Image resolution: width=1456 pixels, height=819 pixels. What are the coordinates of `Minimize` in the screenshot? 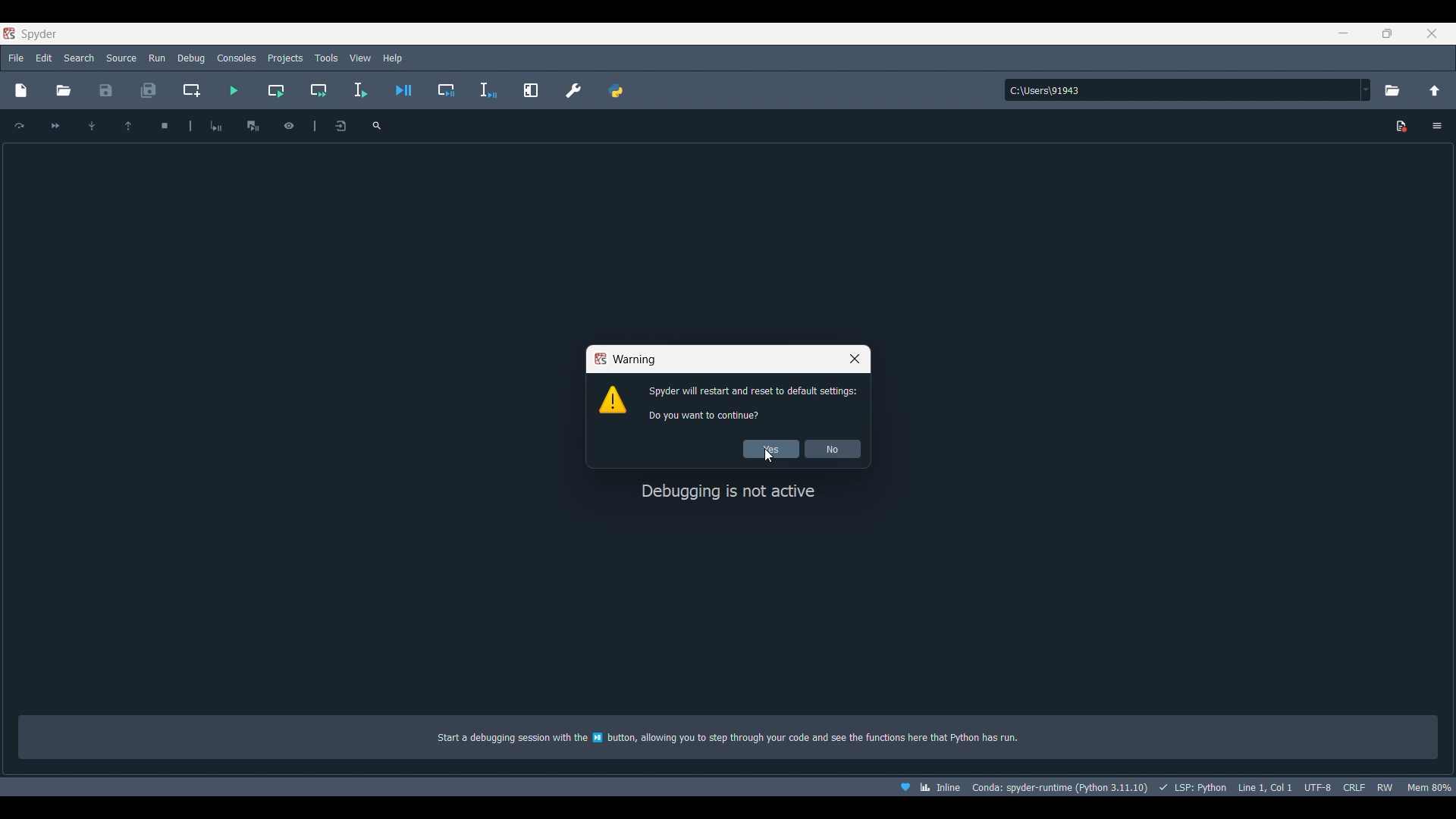 It's located at (1344, 33).